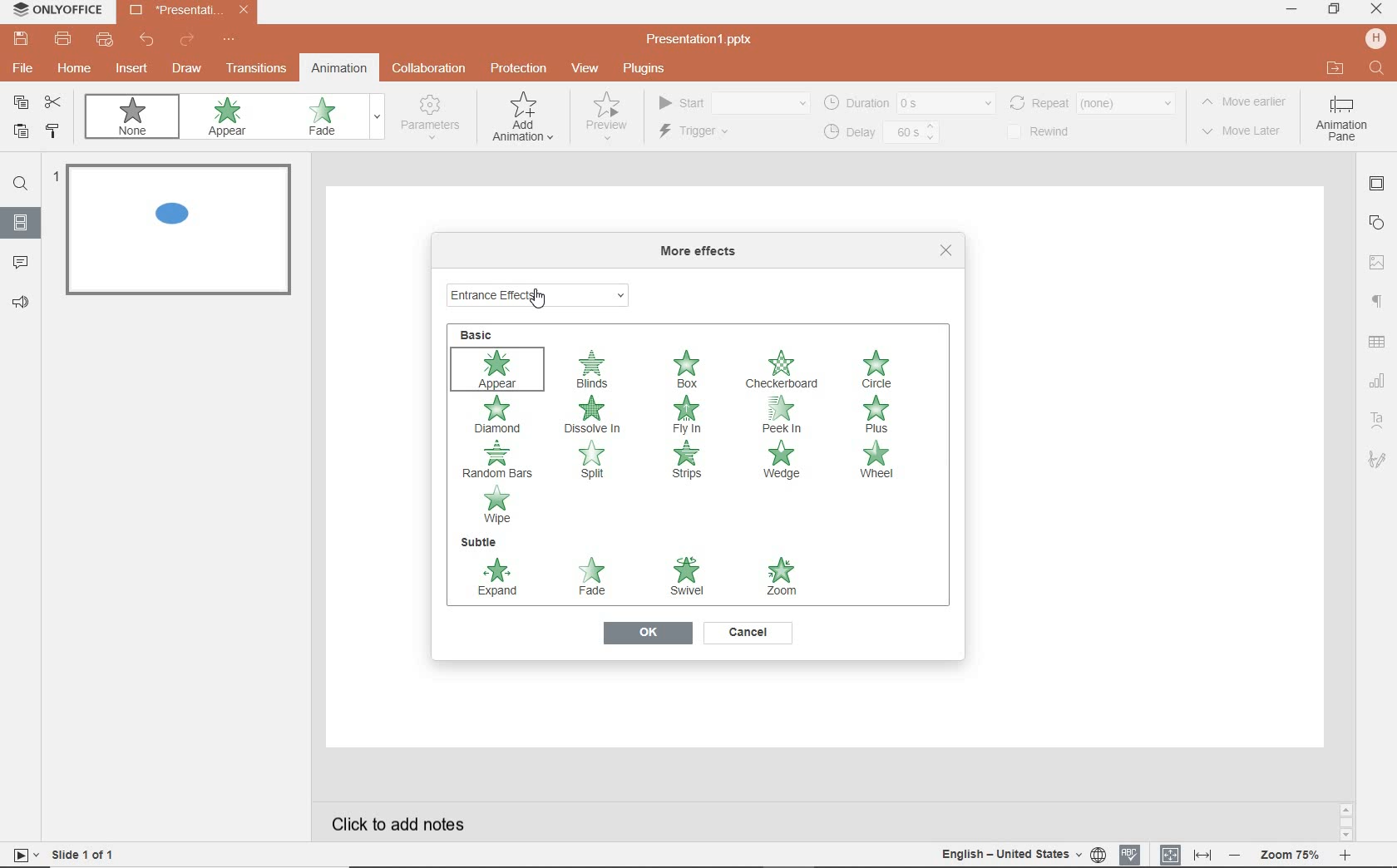 This screenshot has width=1397, height=868. Describe the element at coordinates (588, 69) in the screenshot. I see `view` at that location.